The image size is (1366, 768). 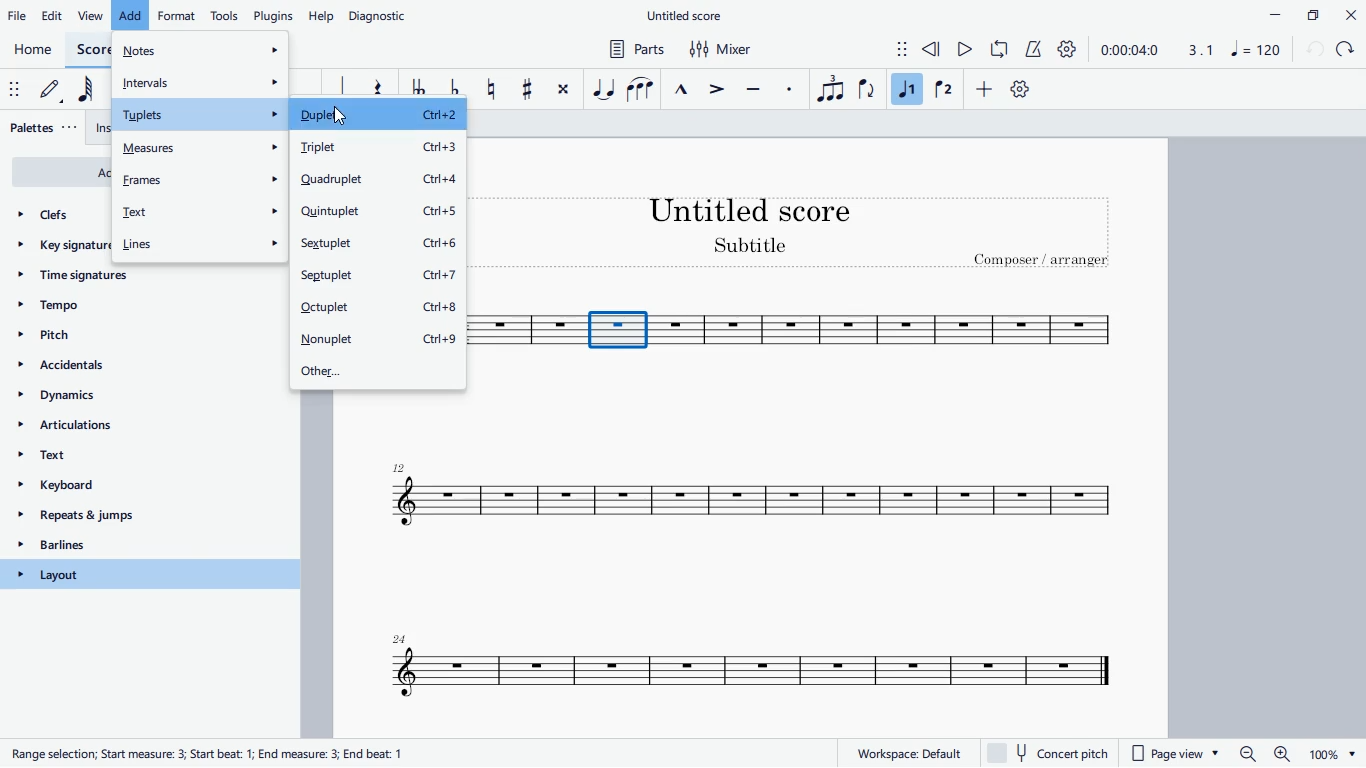 I want to click on selected action, so click(x=131, y=13).